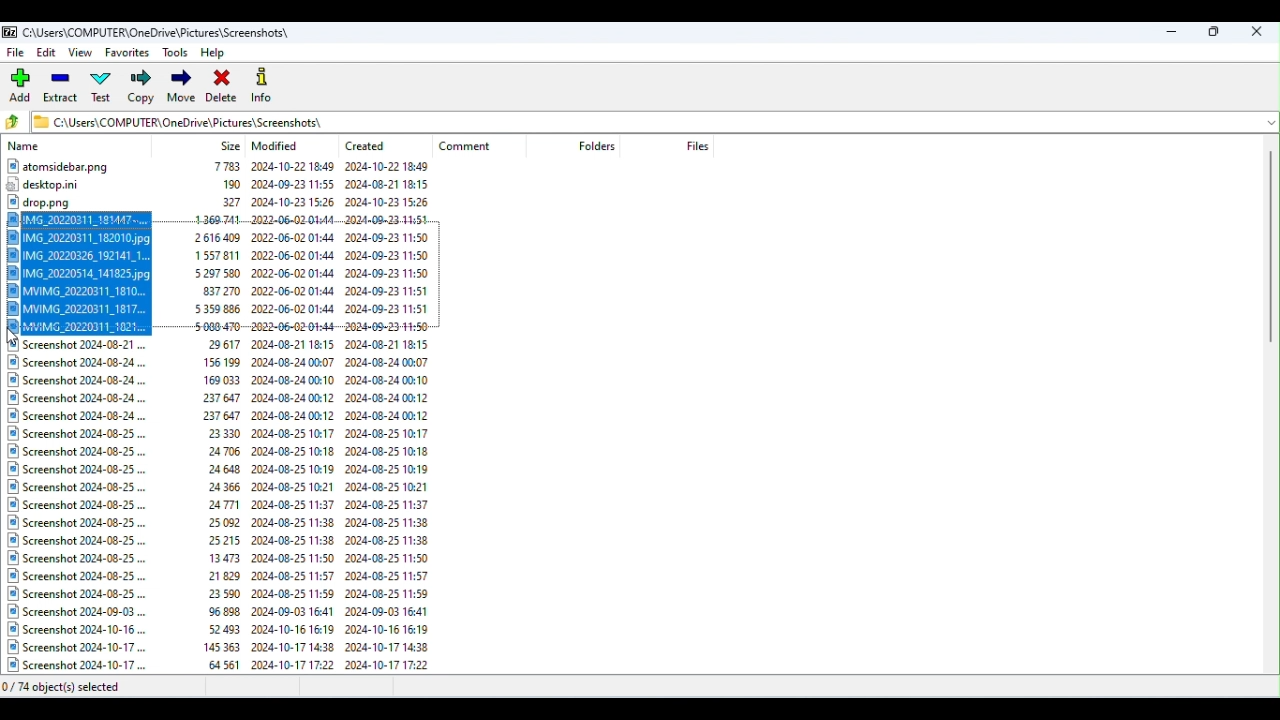  What do you see at coordinates (218, 51) in the screenshot?
I see `Help` at bounding box center [218, 51].